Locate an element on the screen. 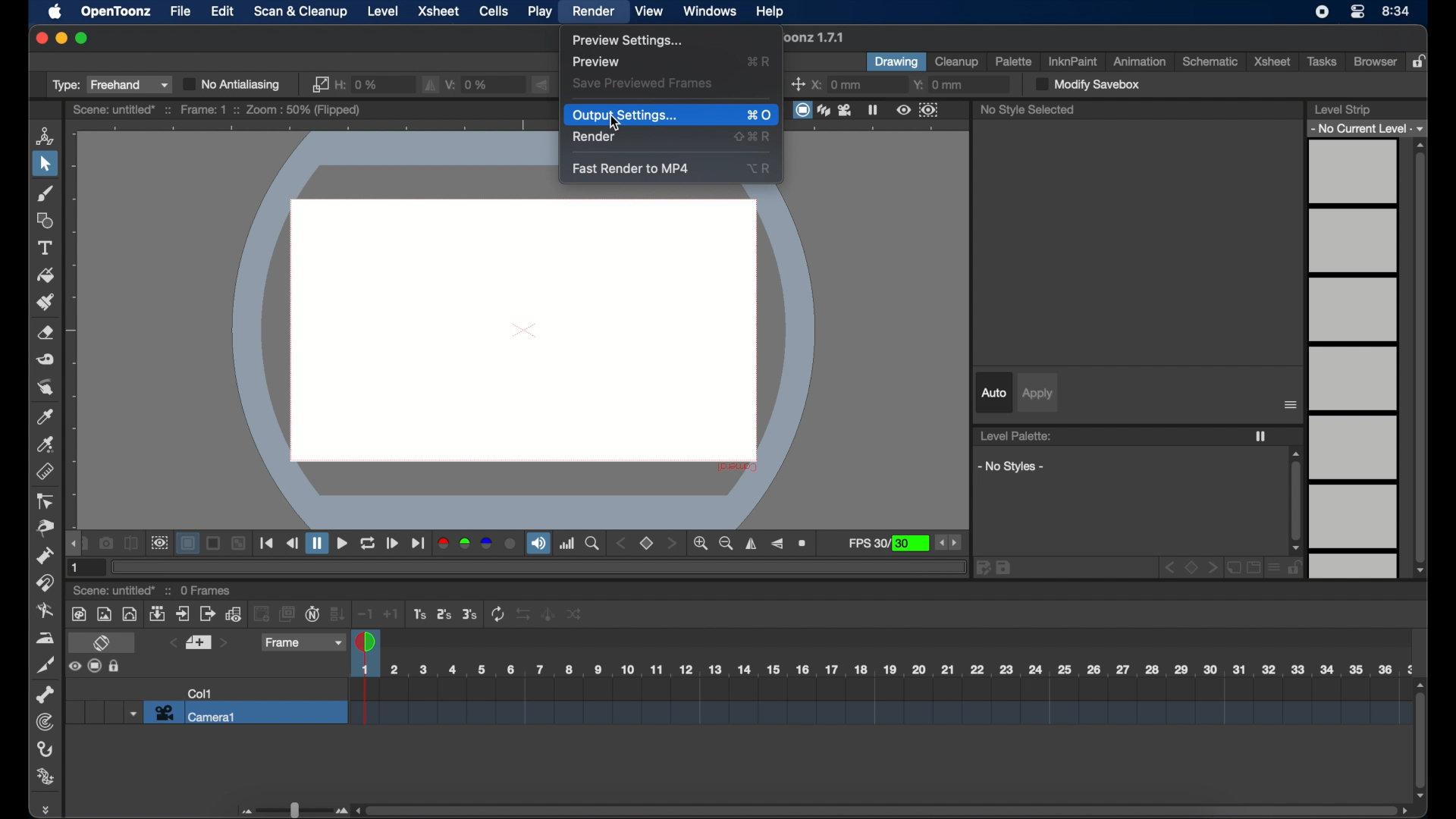  file is located at coordinates (181, 11).